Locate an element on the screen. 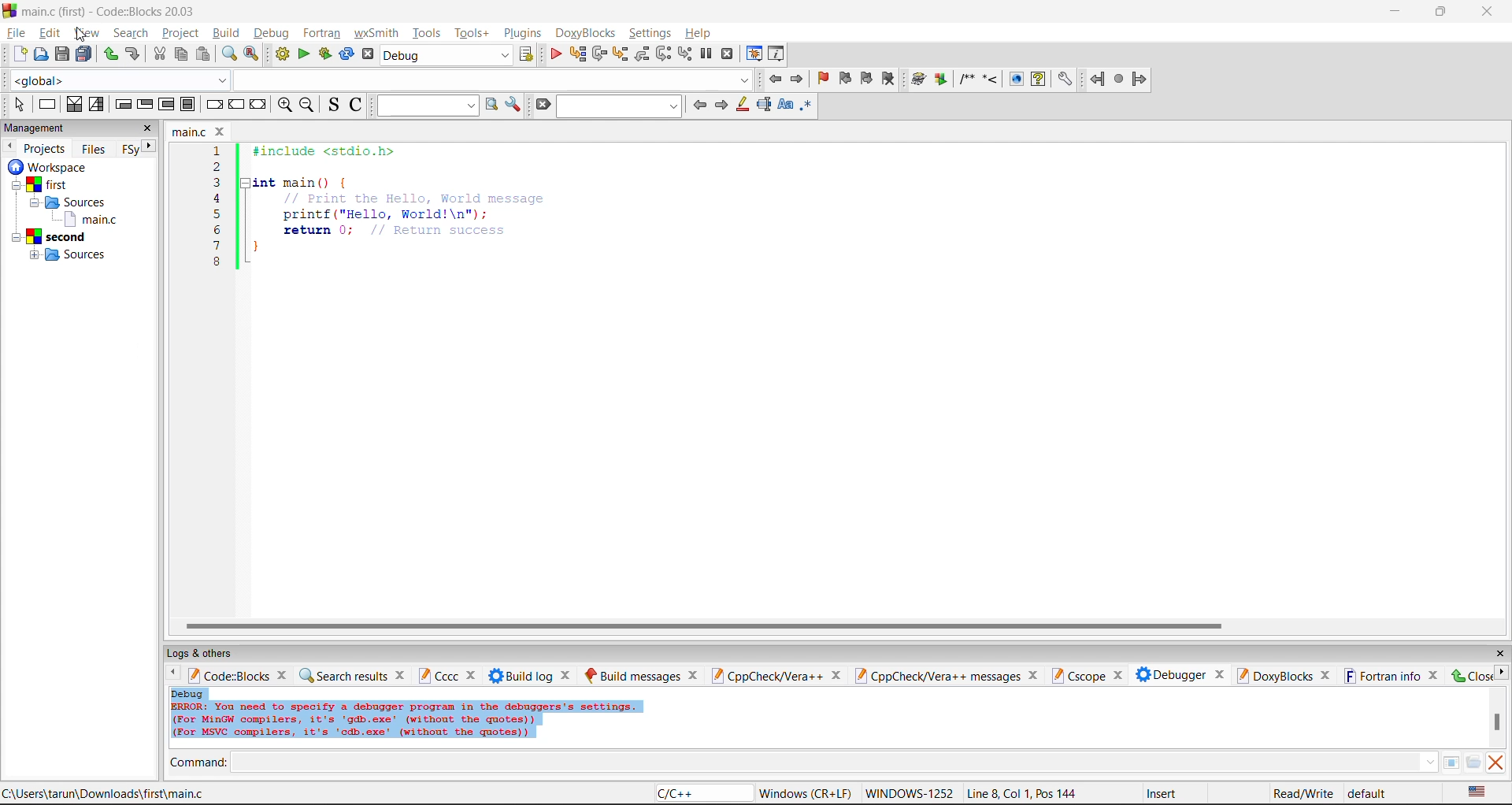  previous is located at coordinates (697, 104).